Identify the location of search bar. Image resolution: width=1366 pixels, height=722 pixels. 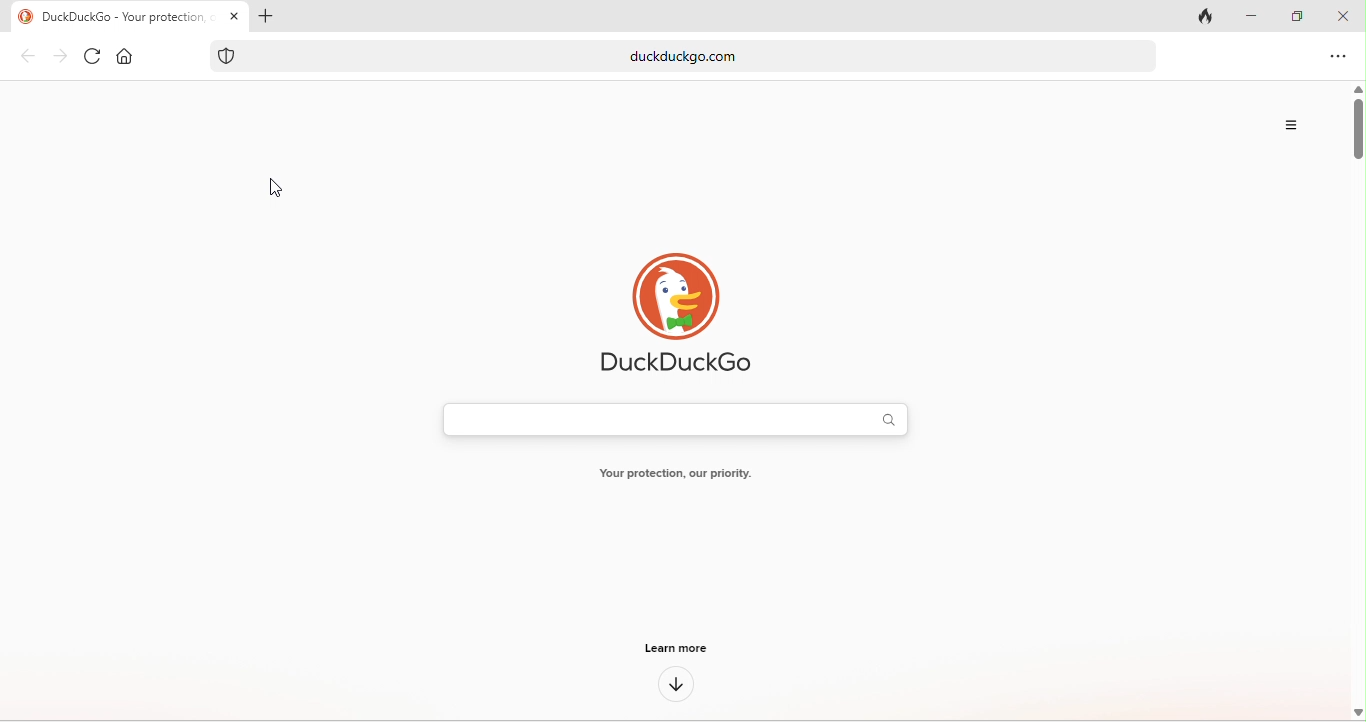
(680, 420).